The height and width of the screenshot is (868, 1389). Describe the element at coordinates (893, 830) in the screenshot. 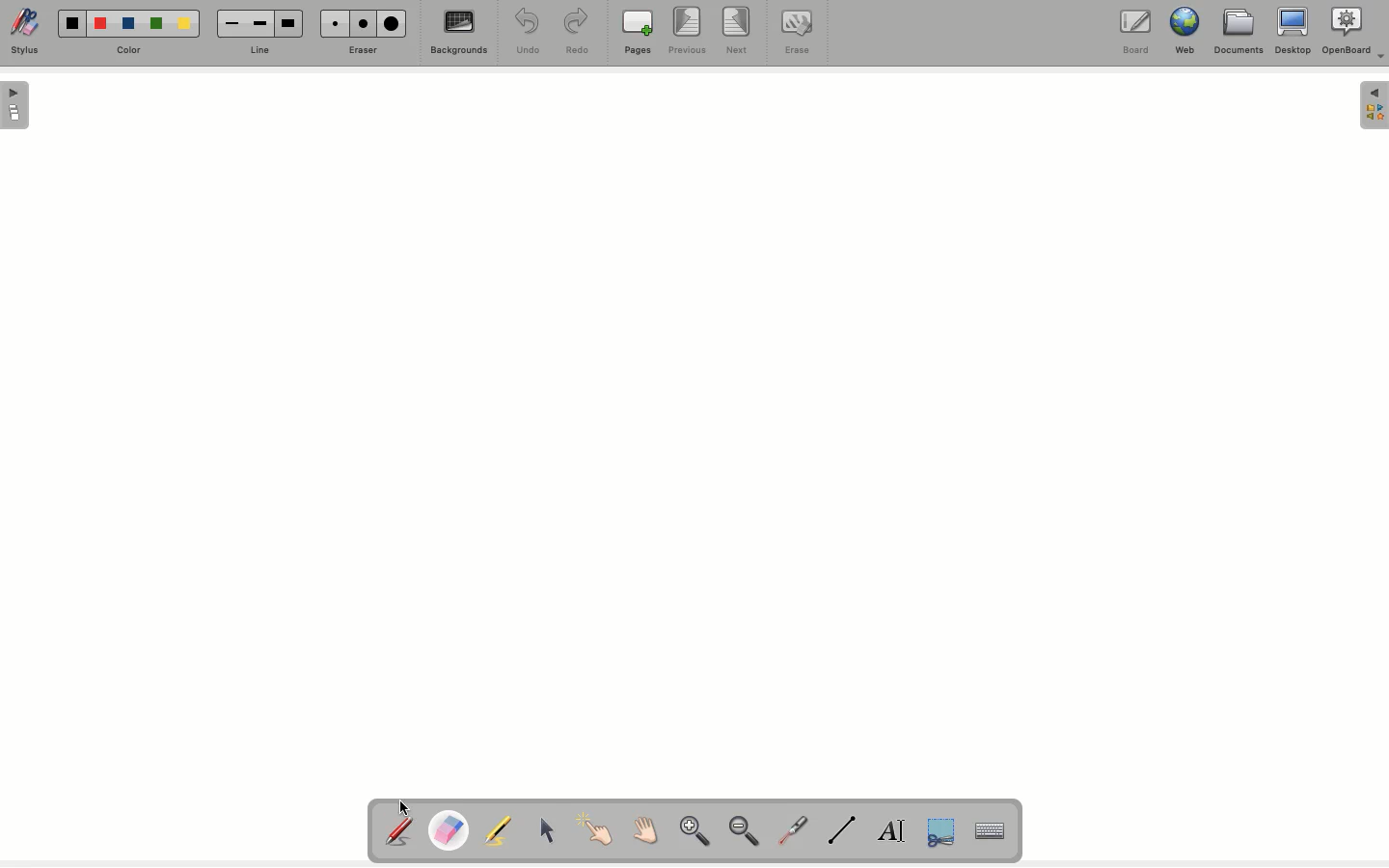

I see `Text` at that location.